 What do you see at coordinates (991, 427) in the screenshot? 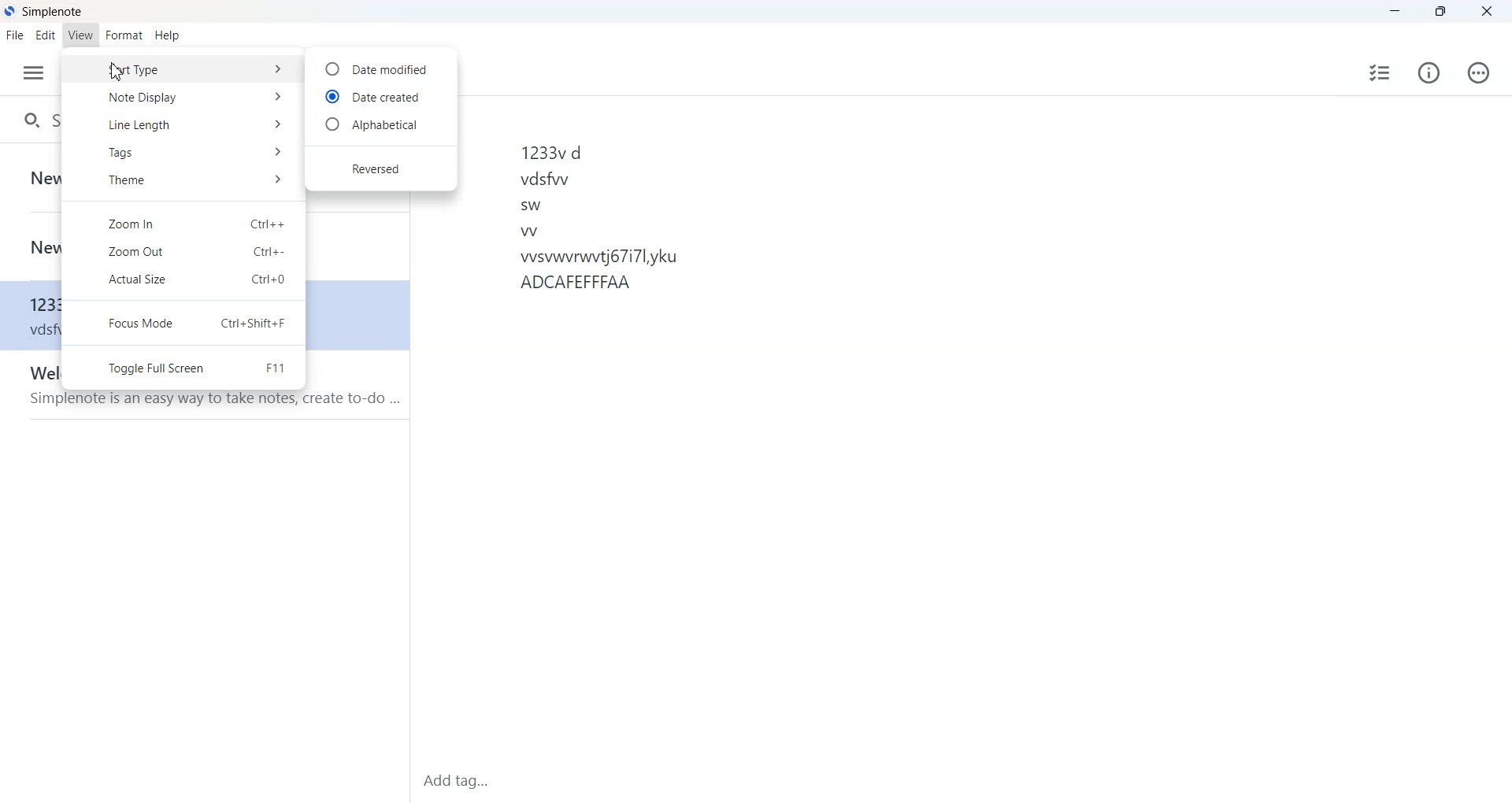
I see `1233 d vddw sw W wwwwnwt67lyku ADCAFEFFFAA` at bounding box center [991, 427].